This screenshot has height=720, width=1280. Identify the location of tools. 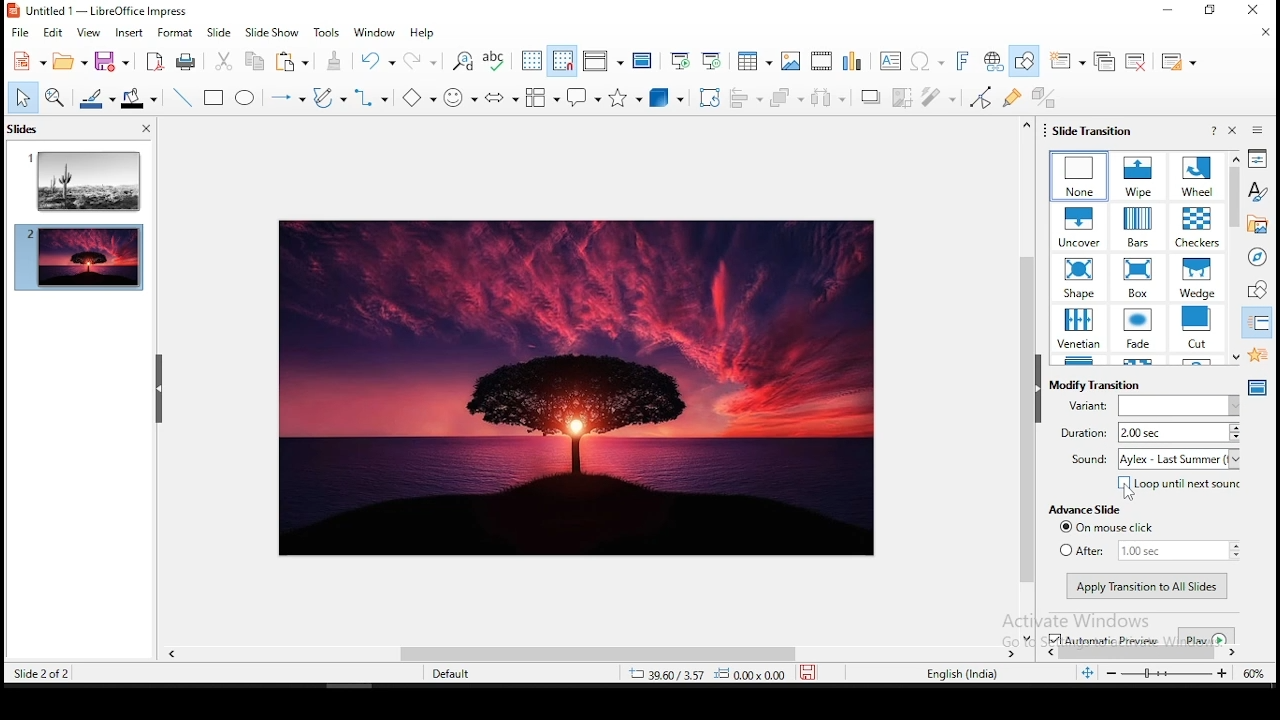
(330, 32).